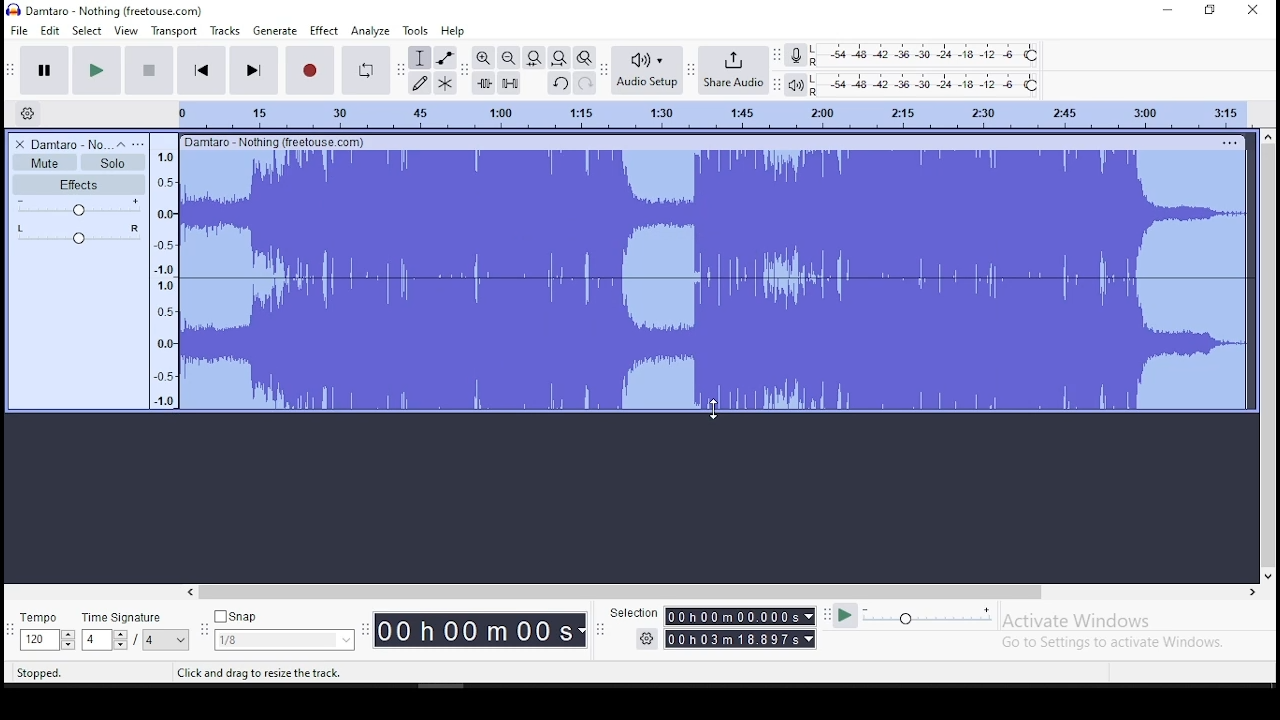 The height and width of the screenshot is (720, 1280). I want to click on zoom , so click(509, 57).